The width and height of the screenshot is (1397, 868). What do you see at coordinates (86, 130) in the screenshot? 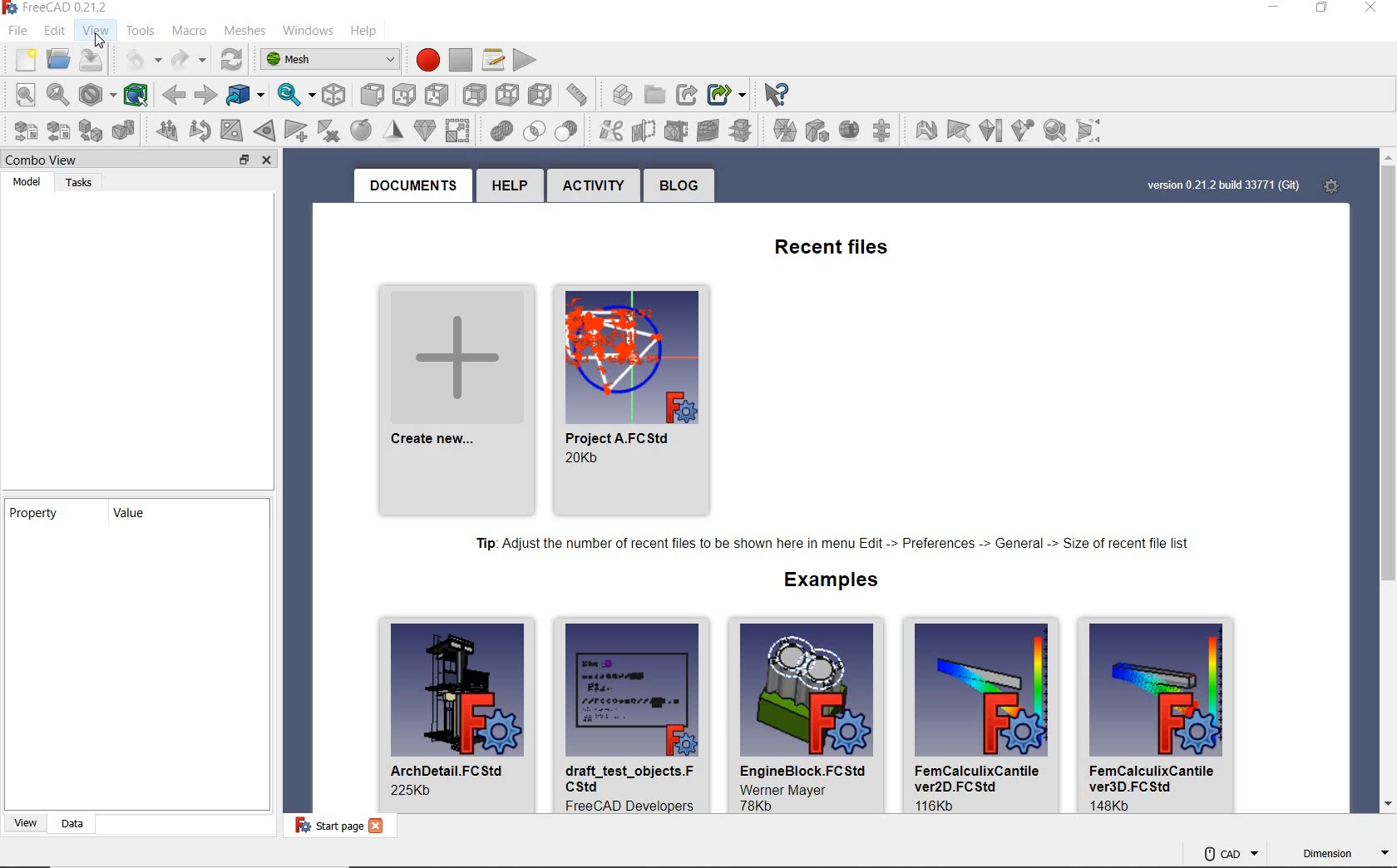
I see `create mesh from shape` at bounding box center [86, 130].